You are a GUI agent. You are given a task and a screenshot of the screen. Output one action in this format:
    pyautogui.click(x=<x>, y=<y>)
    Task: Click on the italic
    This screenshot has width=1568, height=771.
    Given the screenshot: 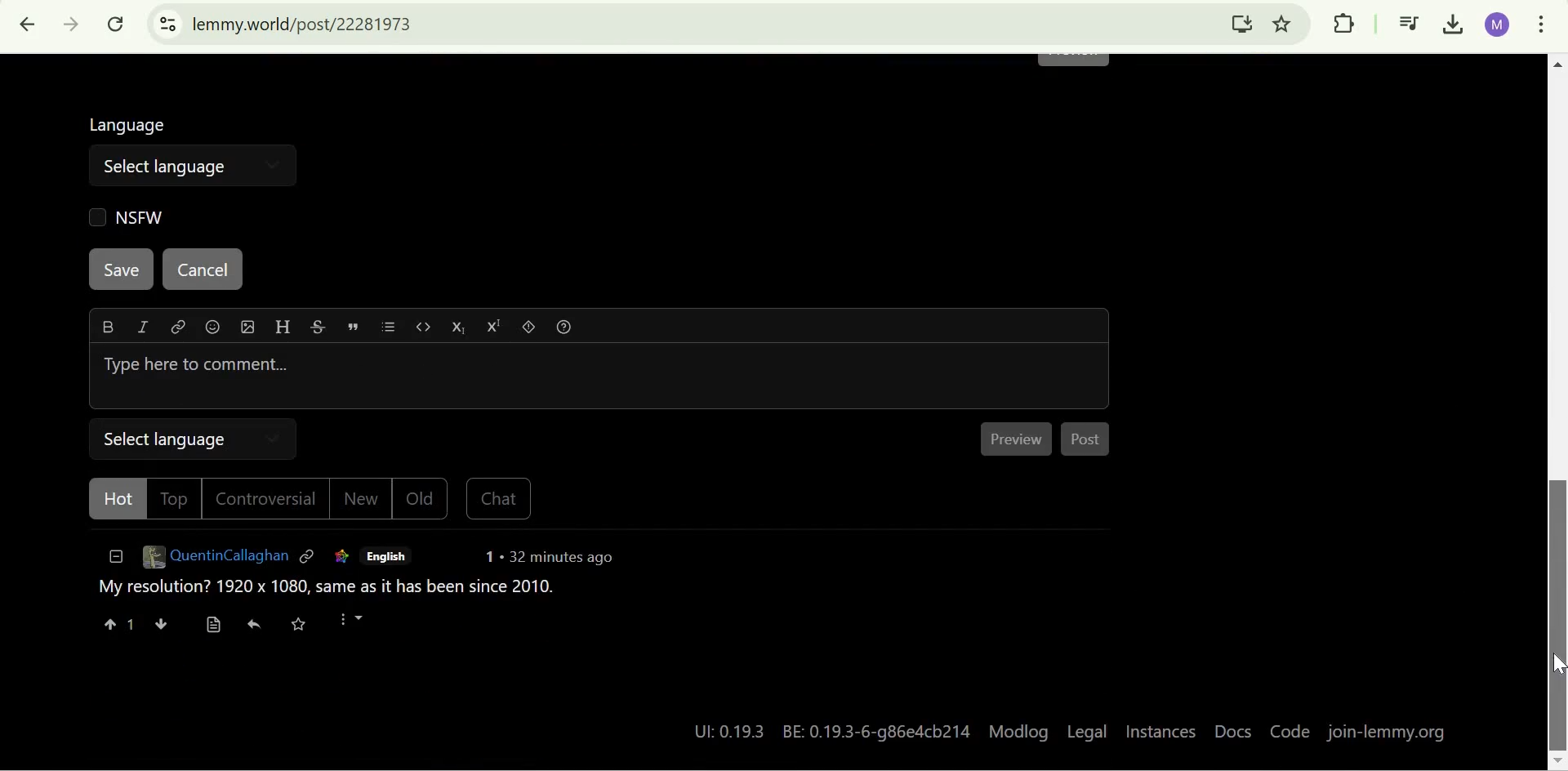 What is the action you would take?
    pyautogui.click(x=140, y=330)
    